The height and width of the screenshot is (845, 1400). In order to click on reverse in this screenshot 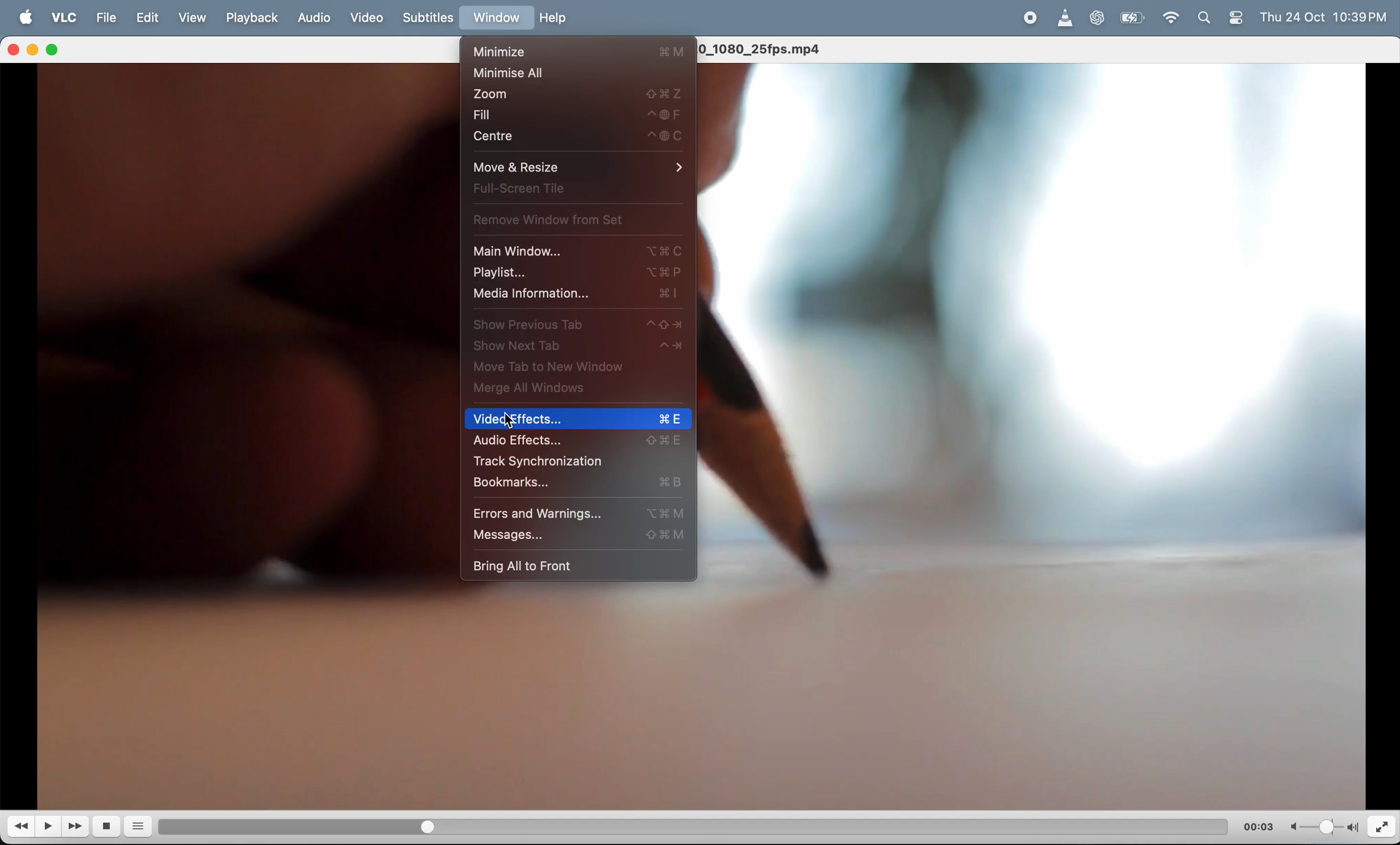, I will do `click(22, 828)`.